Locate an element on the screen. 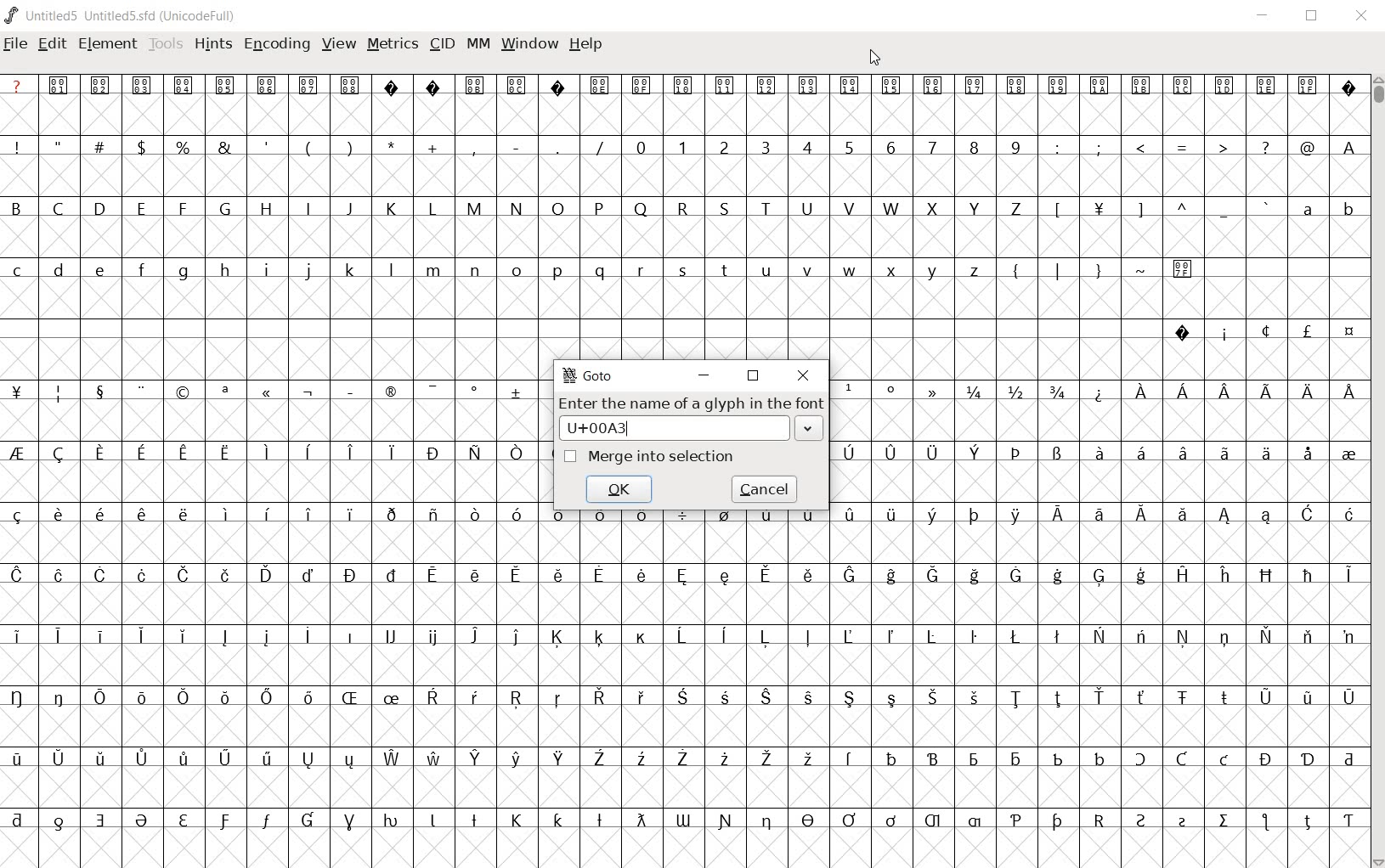 The image size is (1385, 868). k is located at coordinates (349, 269).